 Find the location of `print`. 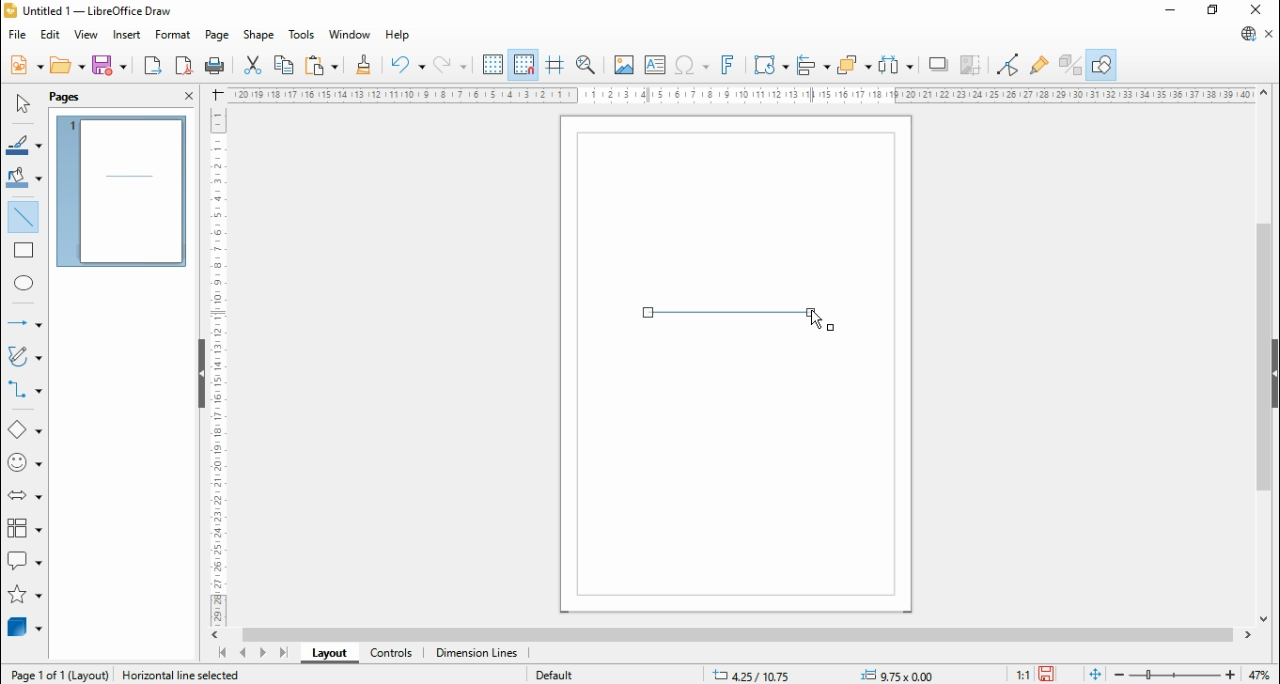

print is located at coordinates (218, 67).